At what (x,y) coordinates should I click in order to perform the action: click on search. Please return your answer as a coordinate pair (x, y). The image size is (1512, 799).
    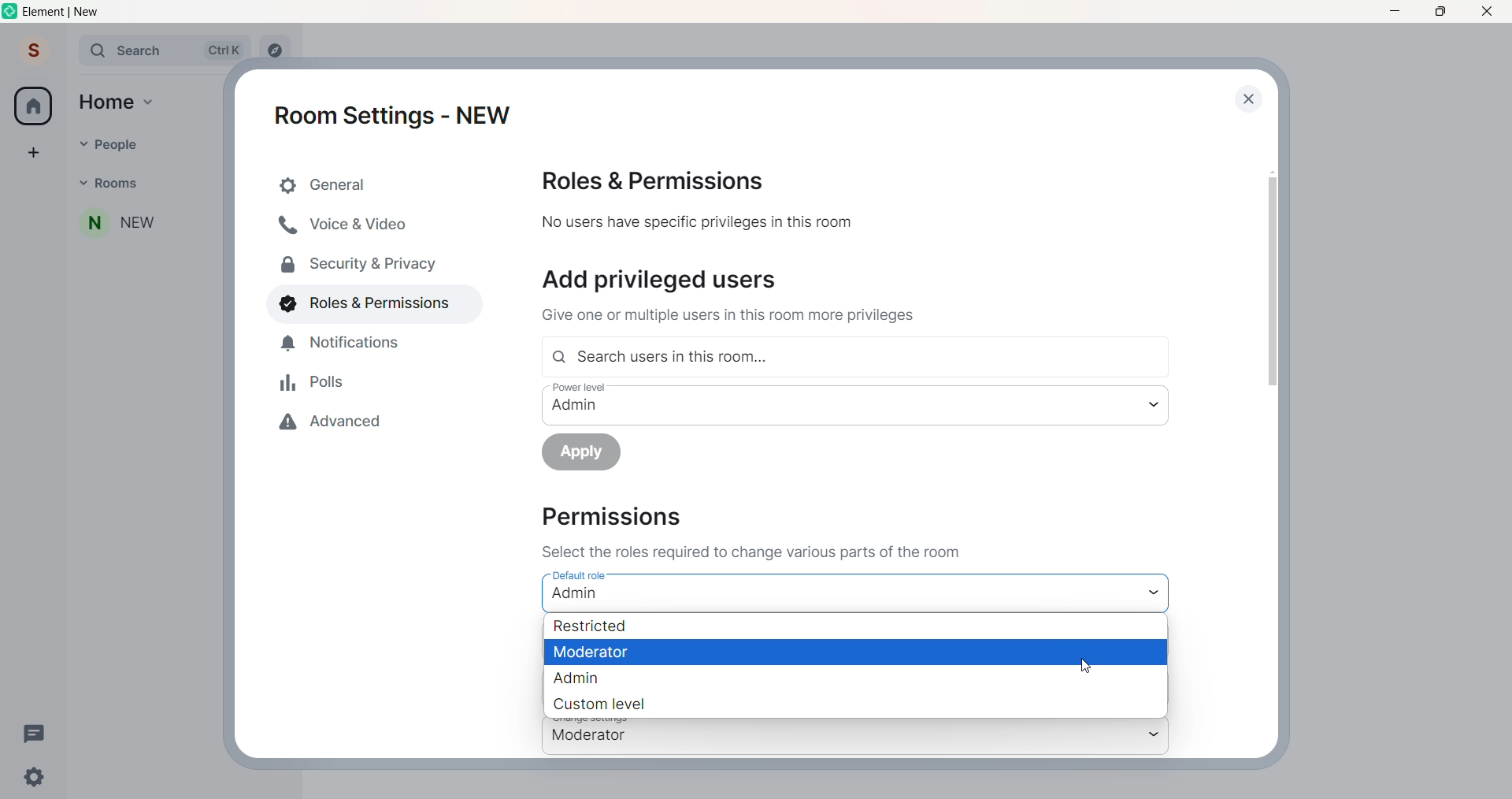
    Looking at the image, I should click on (156, 49).